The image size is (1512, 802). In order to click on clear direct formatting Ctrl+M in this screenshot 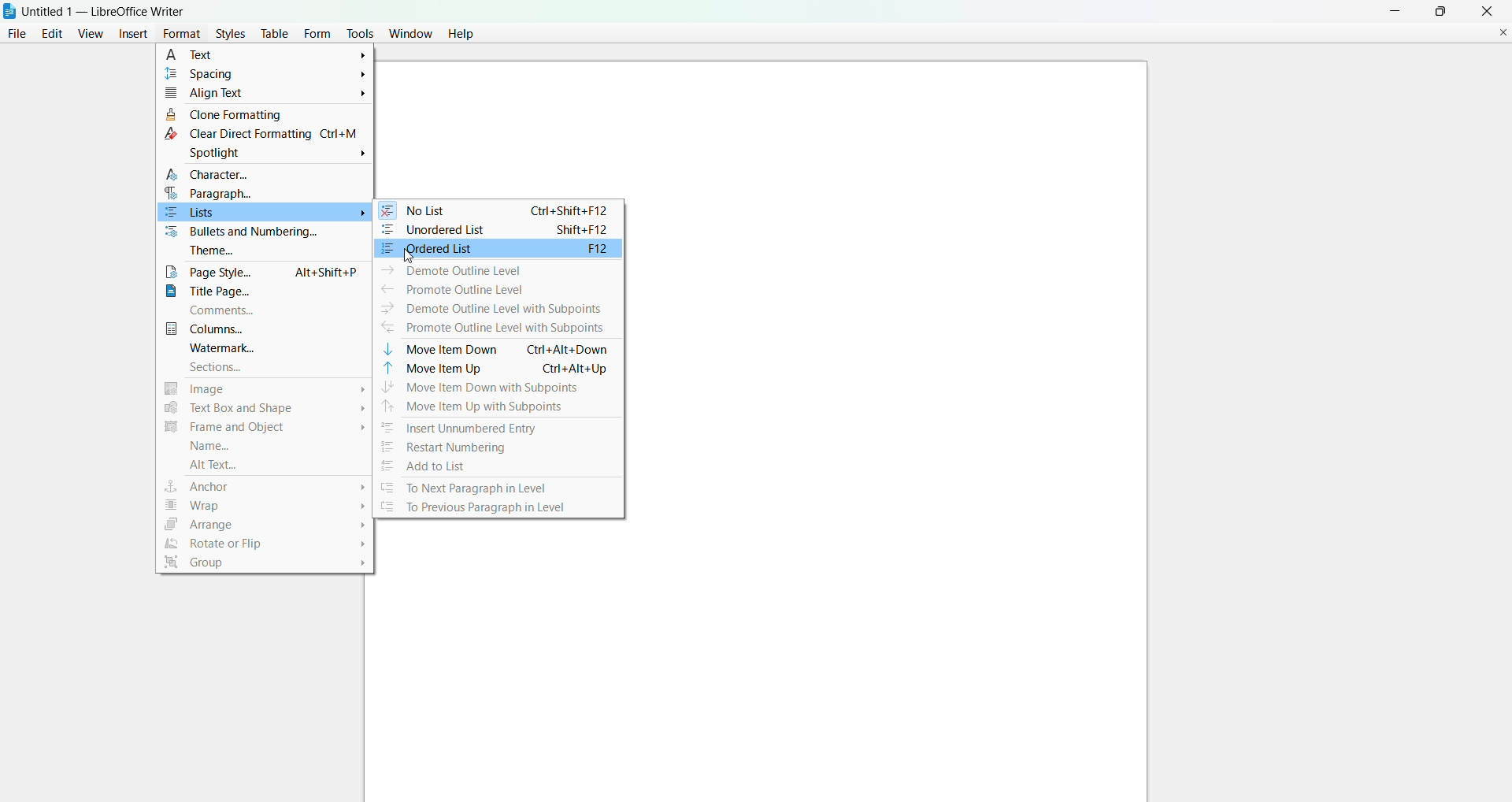, I will do `click(261, 136)`.